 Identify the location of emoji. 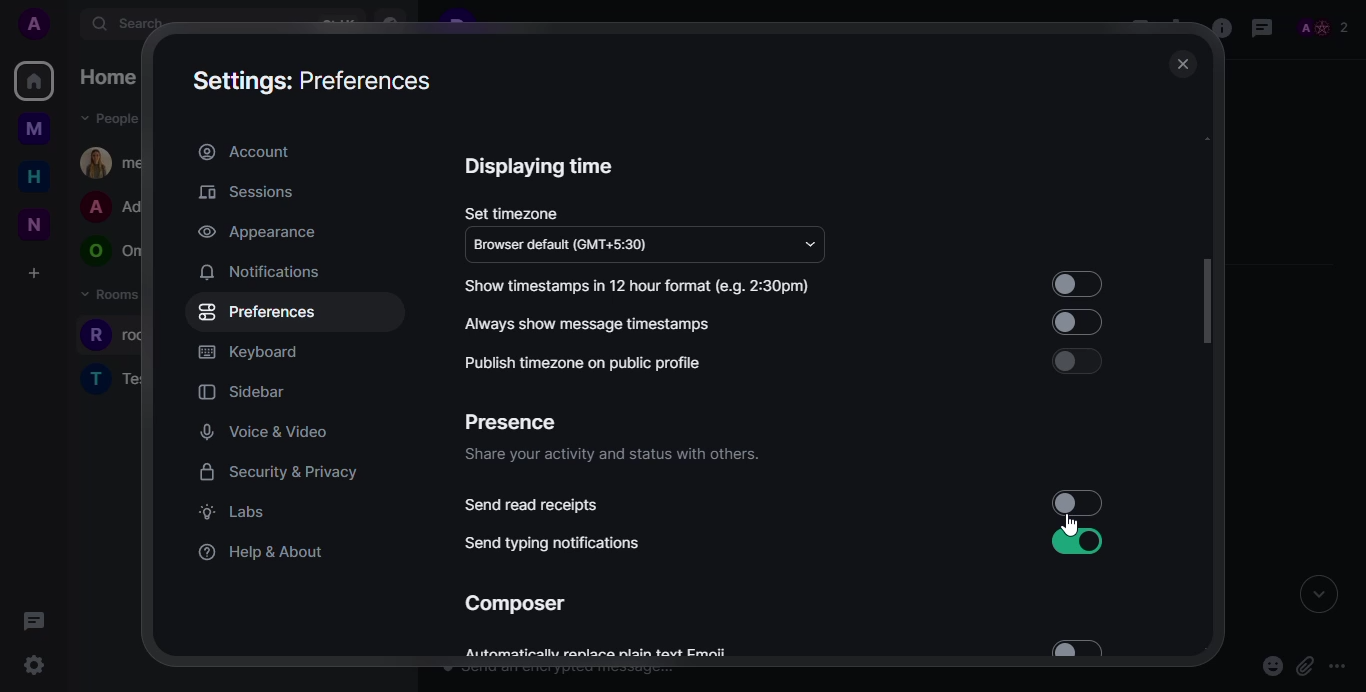
(1266, 665).